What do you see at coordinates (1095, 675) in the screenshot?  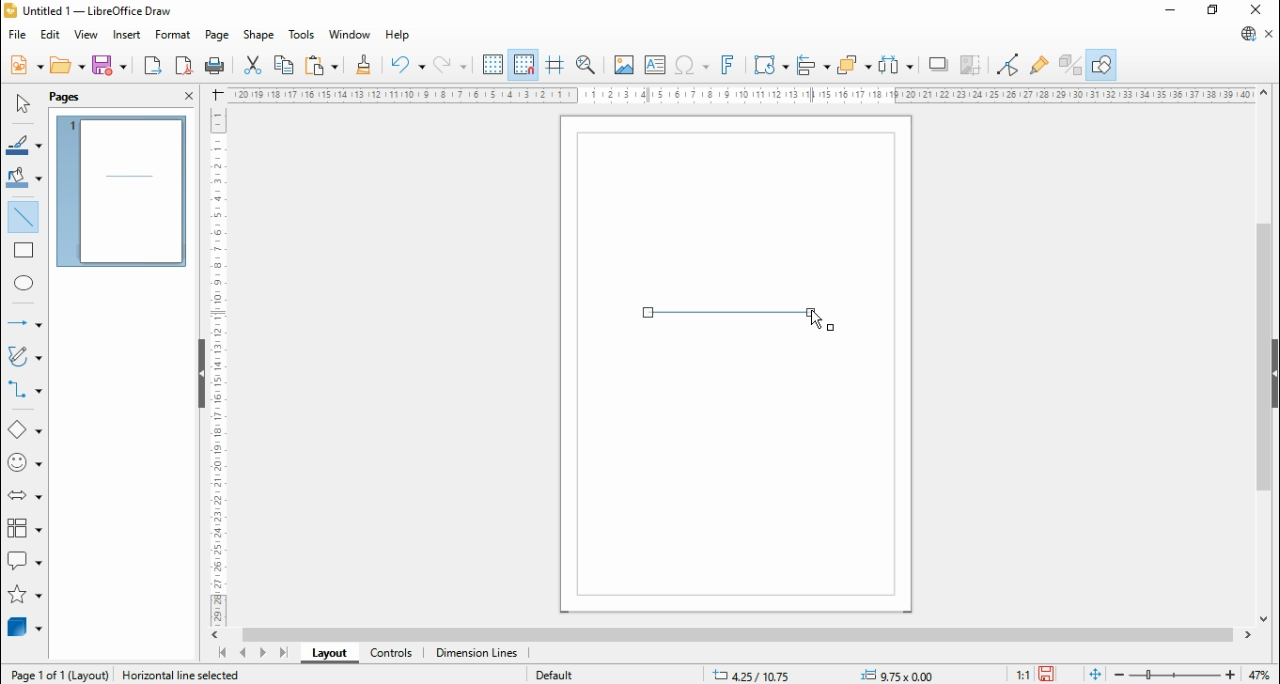 I see `fit document to window` at bounding box center [1095, 675].